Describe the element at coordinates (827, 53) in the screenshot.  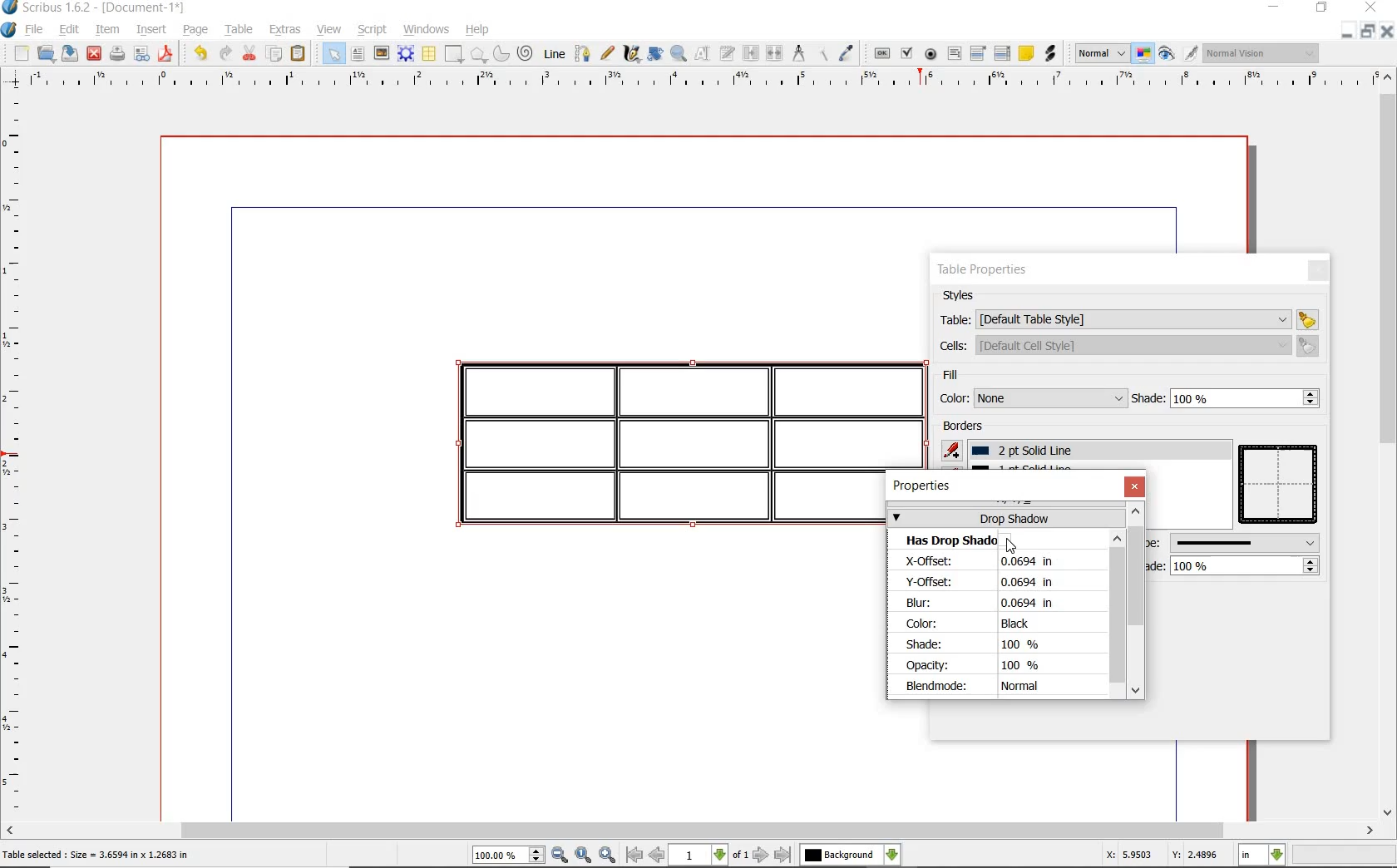
I see `copy item properties` at that location.